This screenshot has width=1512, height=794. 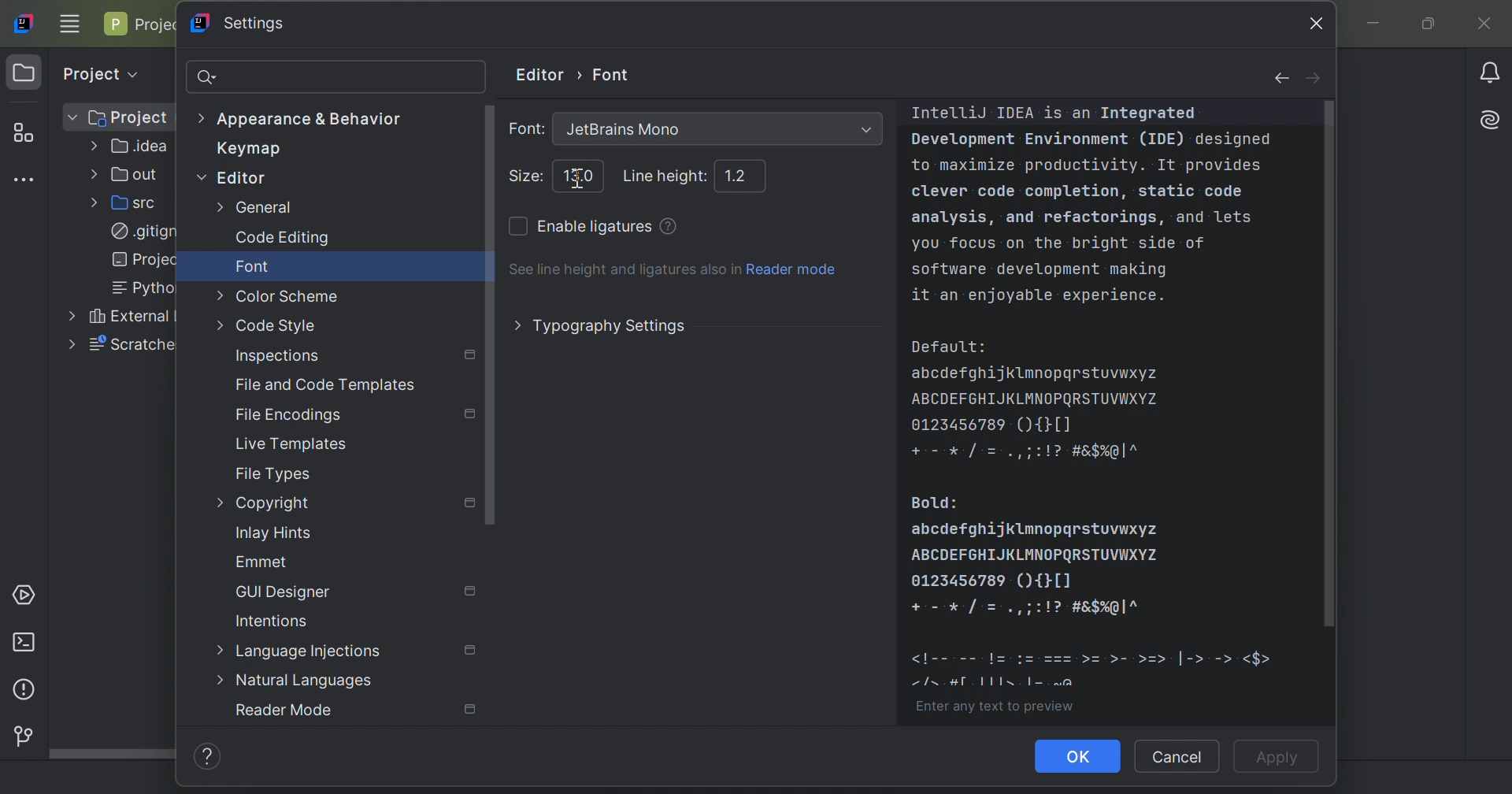 What do you see at coordinates (265, 325) in the screenshot?
I see `Code style` at bounding box center [265, 325].